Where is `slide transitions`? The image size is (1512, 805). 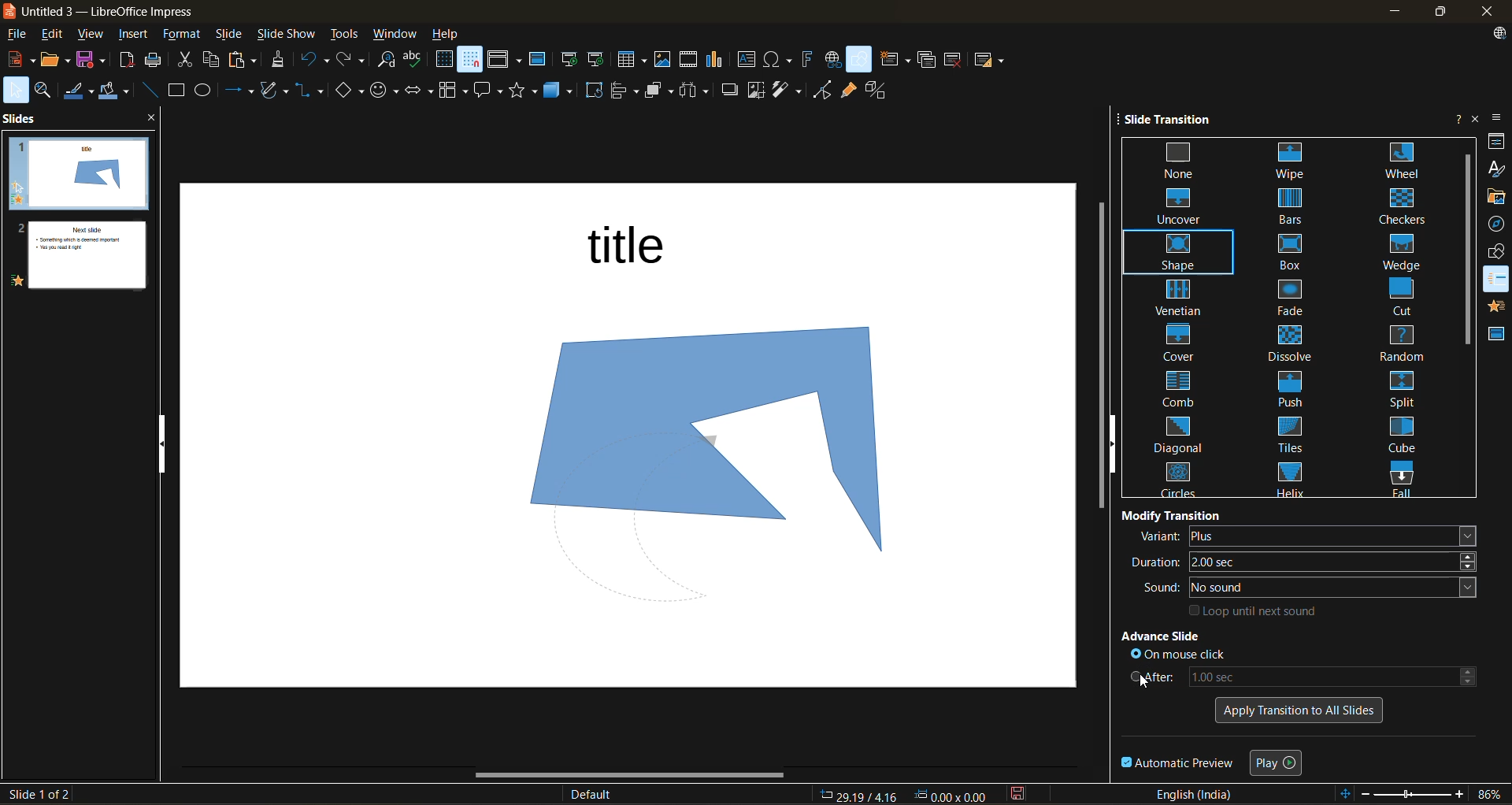 slide transitions is located at coordinates (1292, 318).